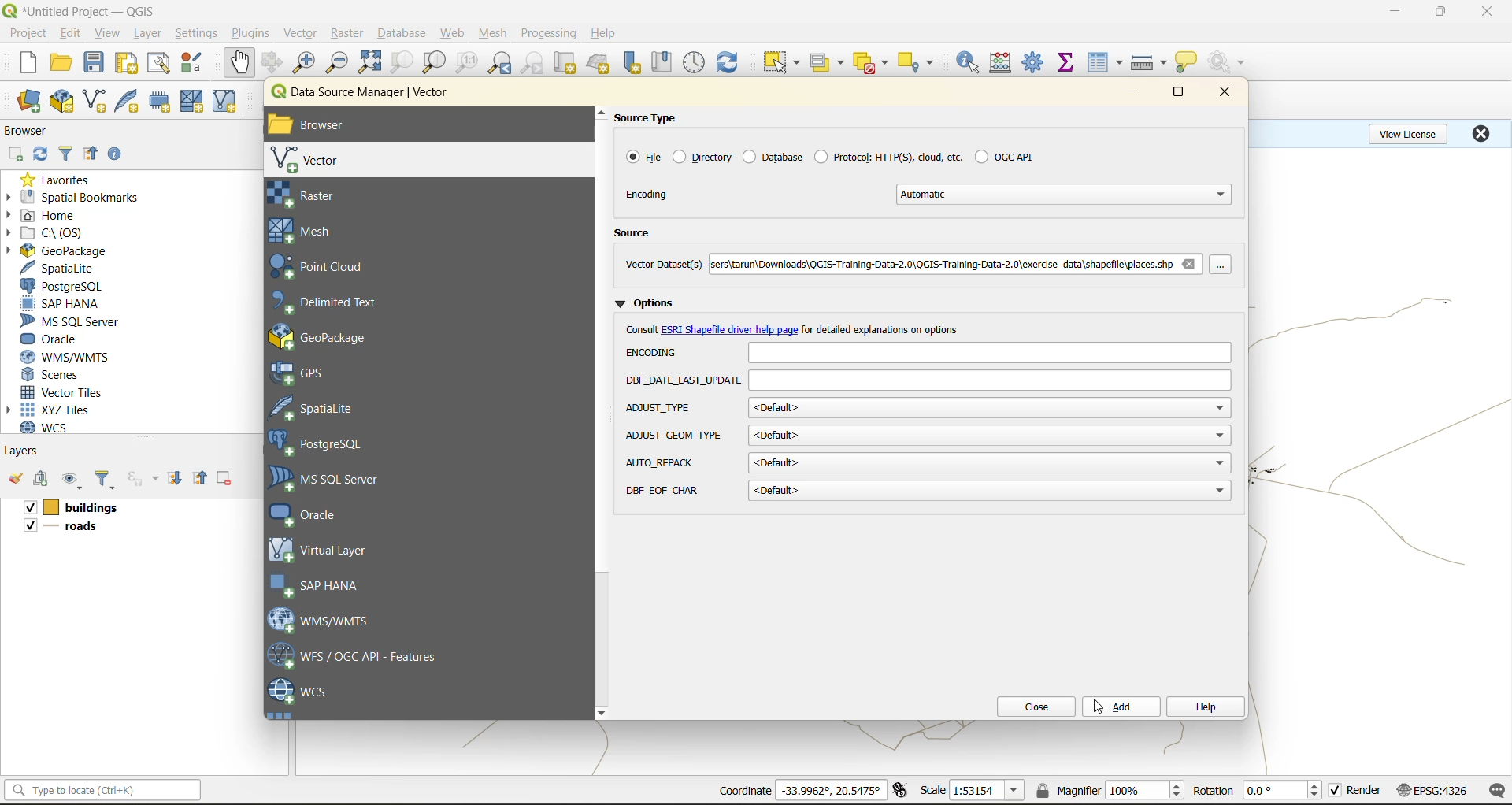 The width and height of the screenshot is (1512, 805). I want to click on temporary scratch layer, so click(164, 102).